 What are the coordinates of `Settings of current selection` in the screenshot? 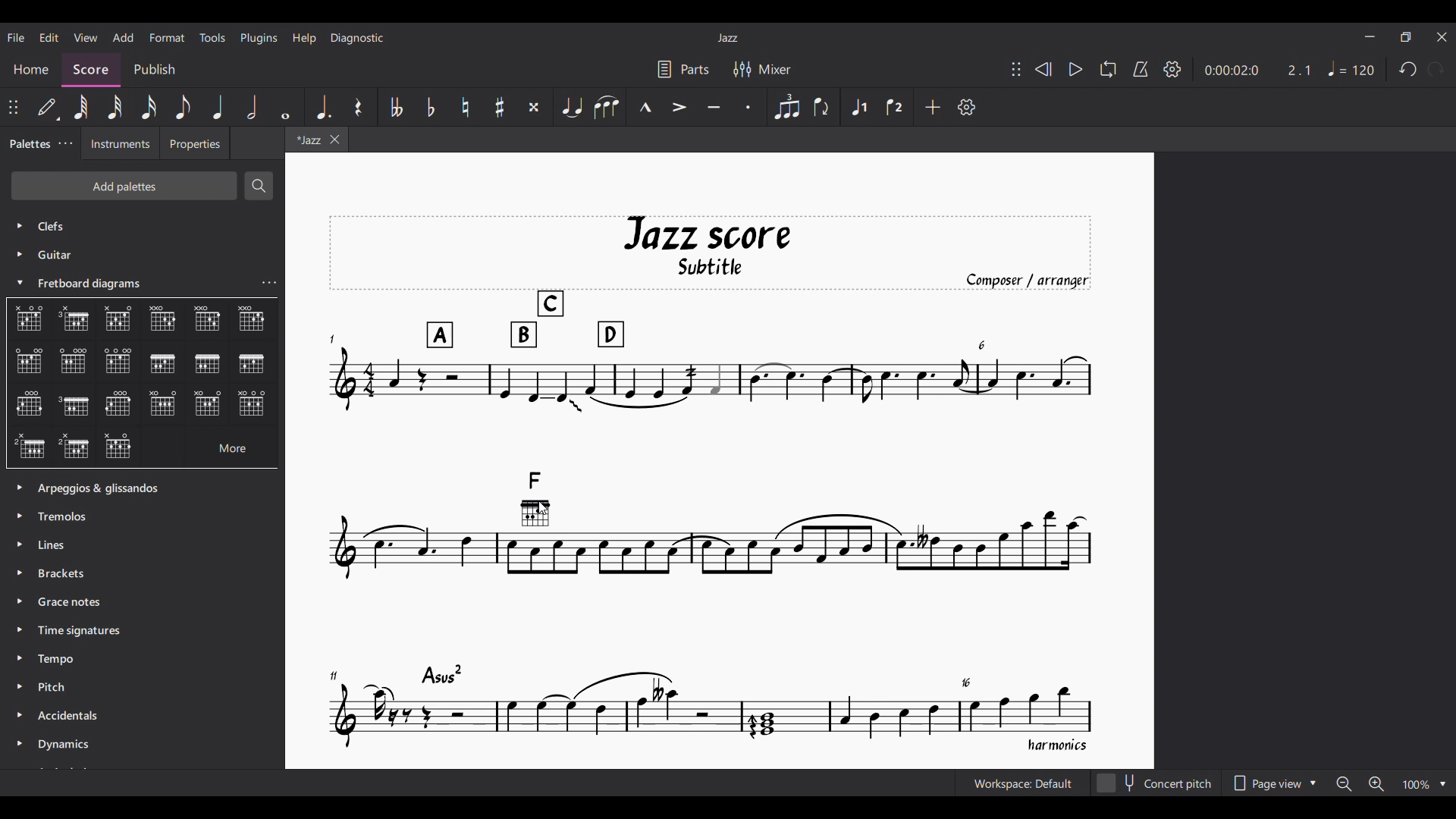 It's located at (268, 282).